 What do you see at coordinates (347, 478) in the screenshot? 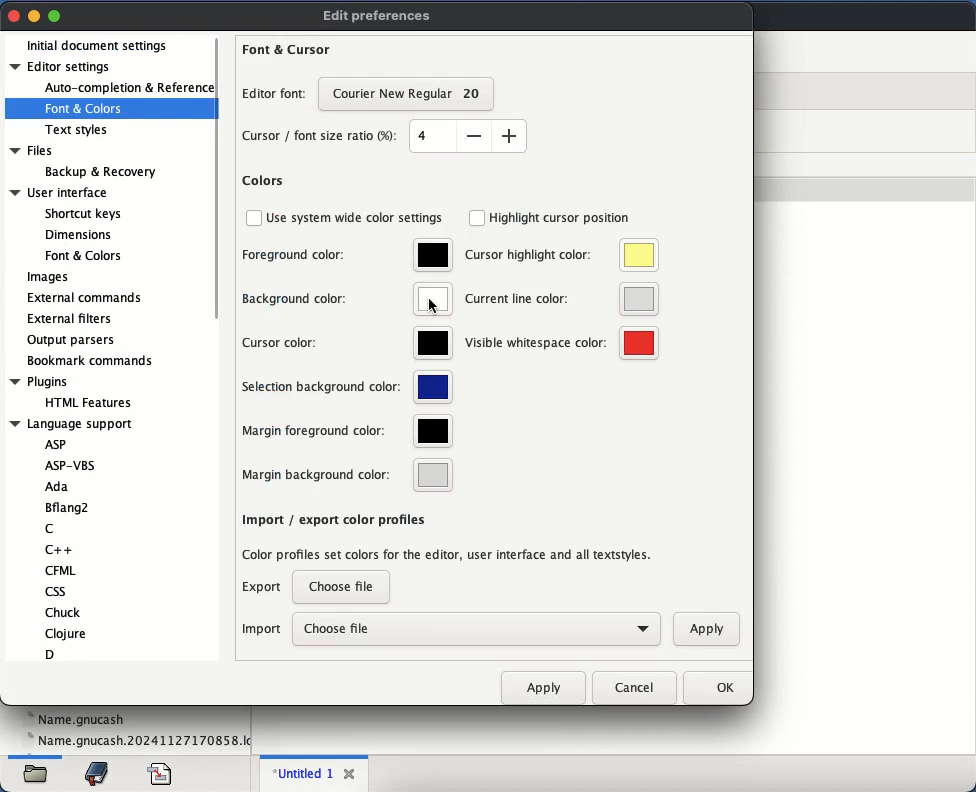
I see `margin background color` at bounding box center [347, 478].